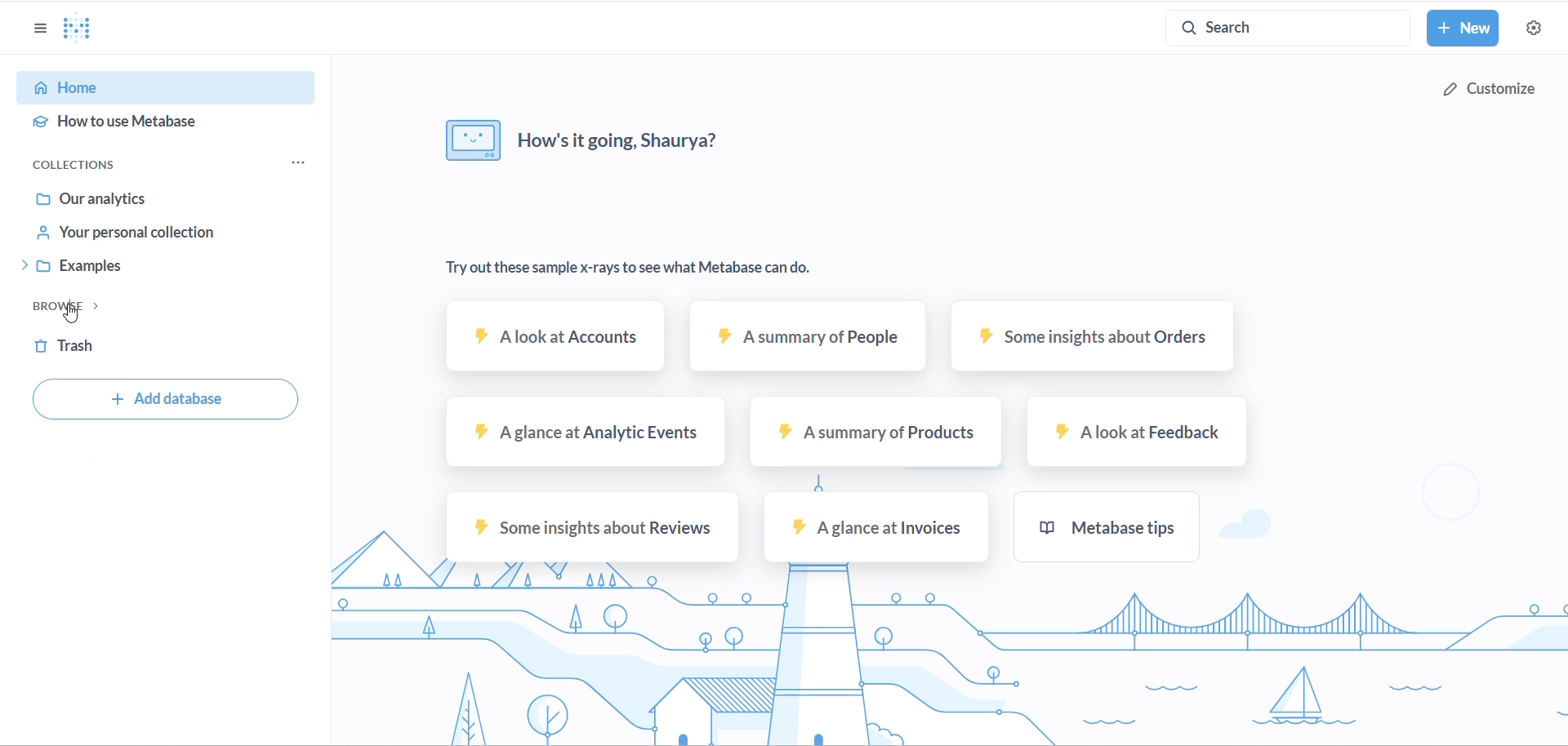 This screenshot has height=746, width=1568. Describe the element at coordinates (158, 200) in the screenshot. I see `OUR ANALYTICS` at that location.